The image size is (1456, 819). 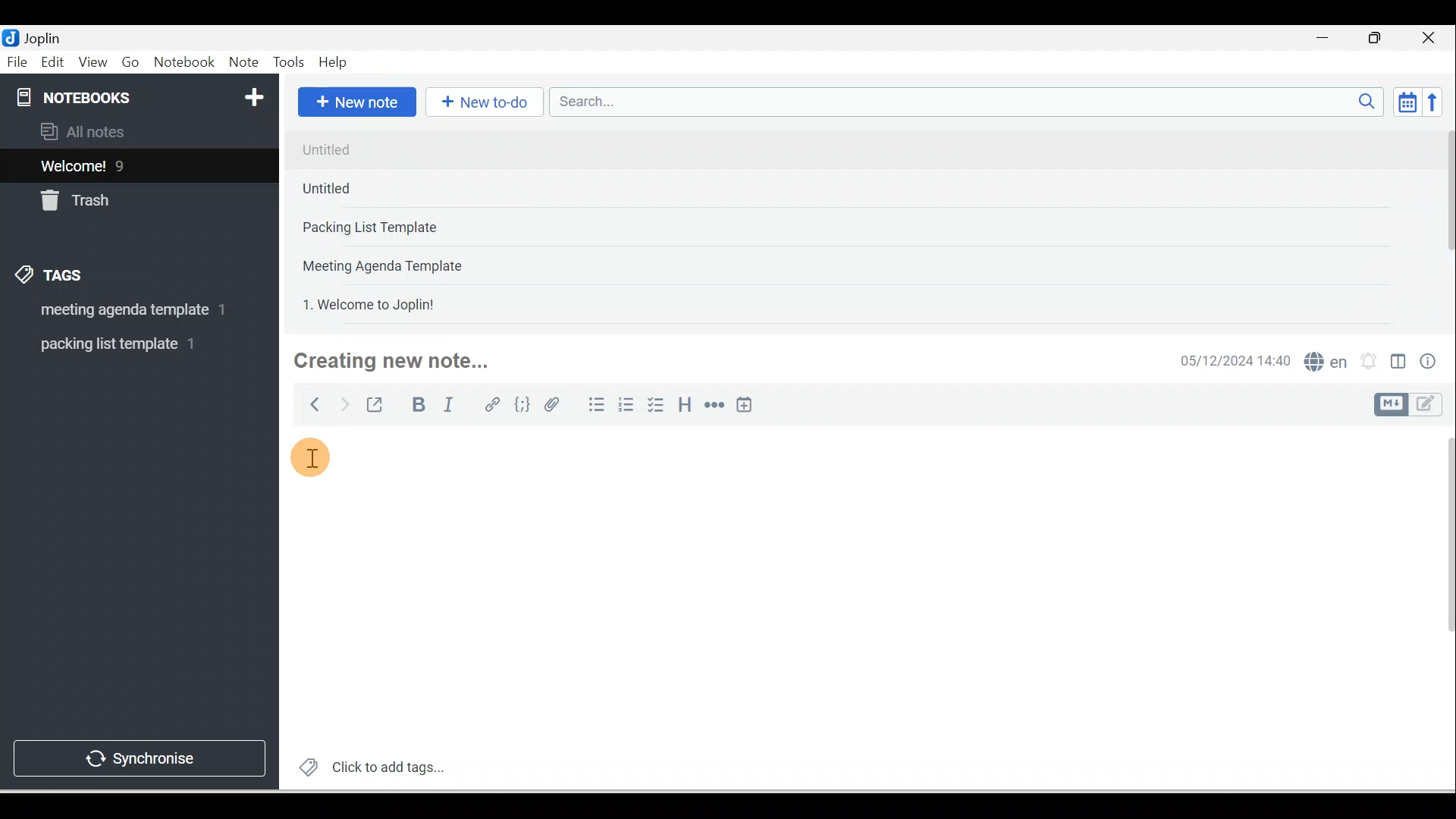 I want to click on Insert time, so click(x=744, y=406).